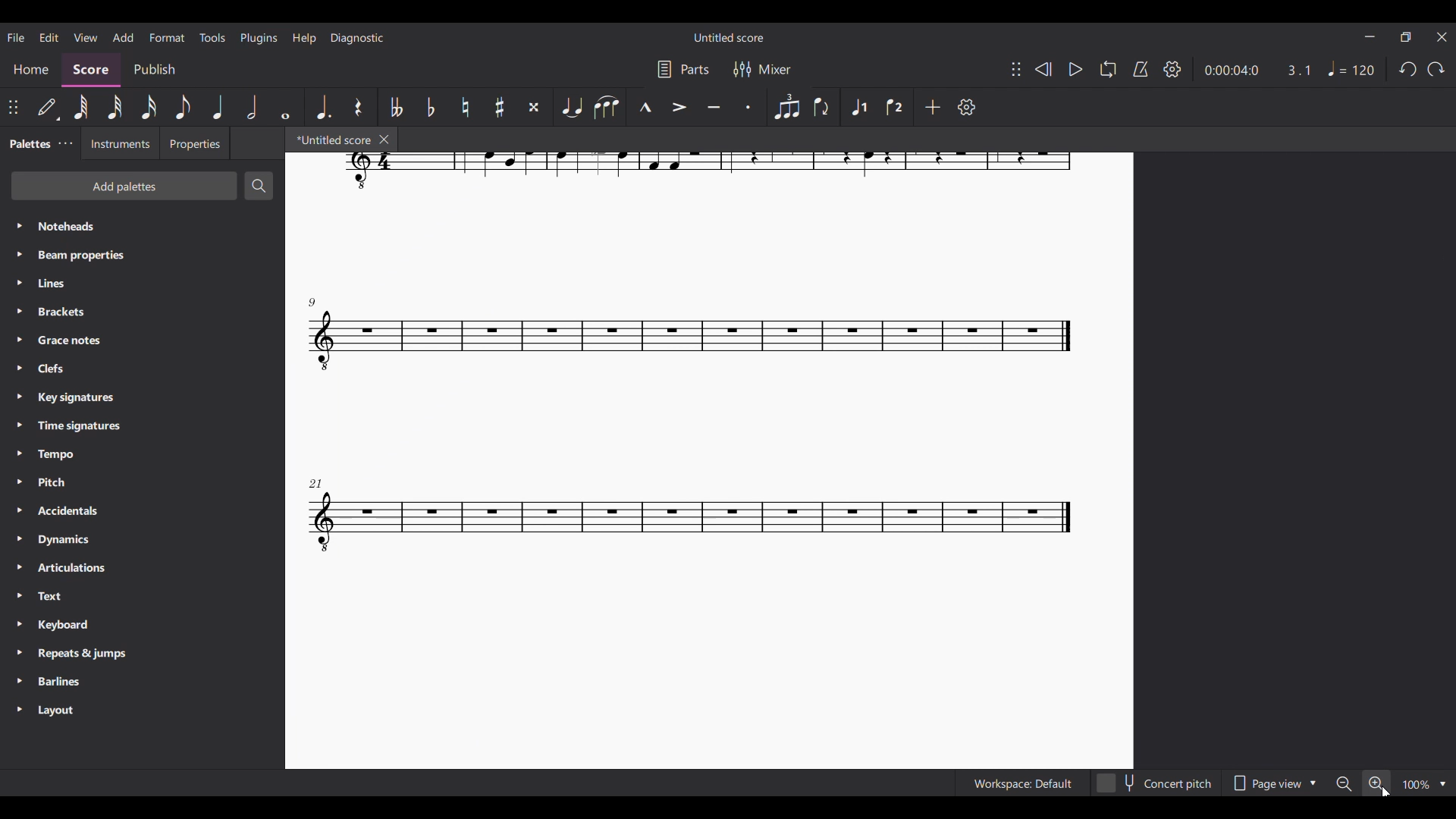 This screenshot has width=1456, height=819. Describe the element at coordinates (1108, 69) in the screenshot. I see `Loop playback` at that location.